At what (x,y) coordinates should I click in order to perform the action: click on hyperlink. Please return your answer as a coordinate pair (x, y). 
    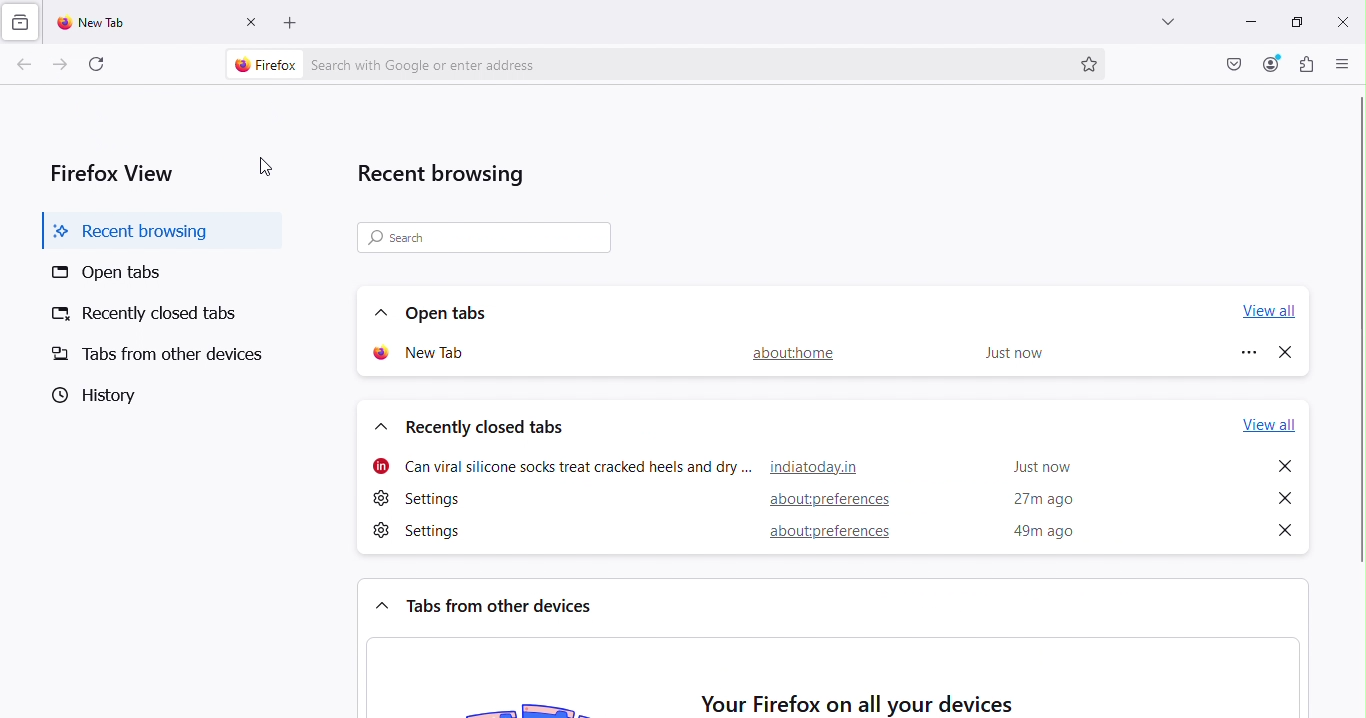
    Looking at the image, I should click on (815, 465).